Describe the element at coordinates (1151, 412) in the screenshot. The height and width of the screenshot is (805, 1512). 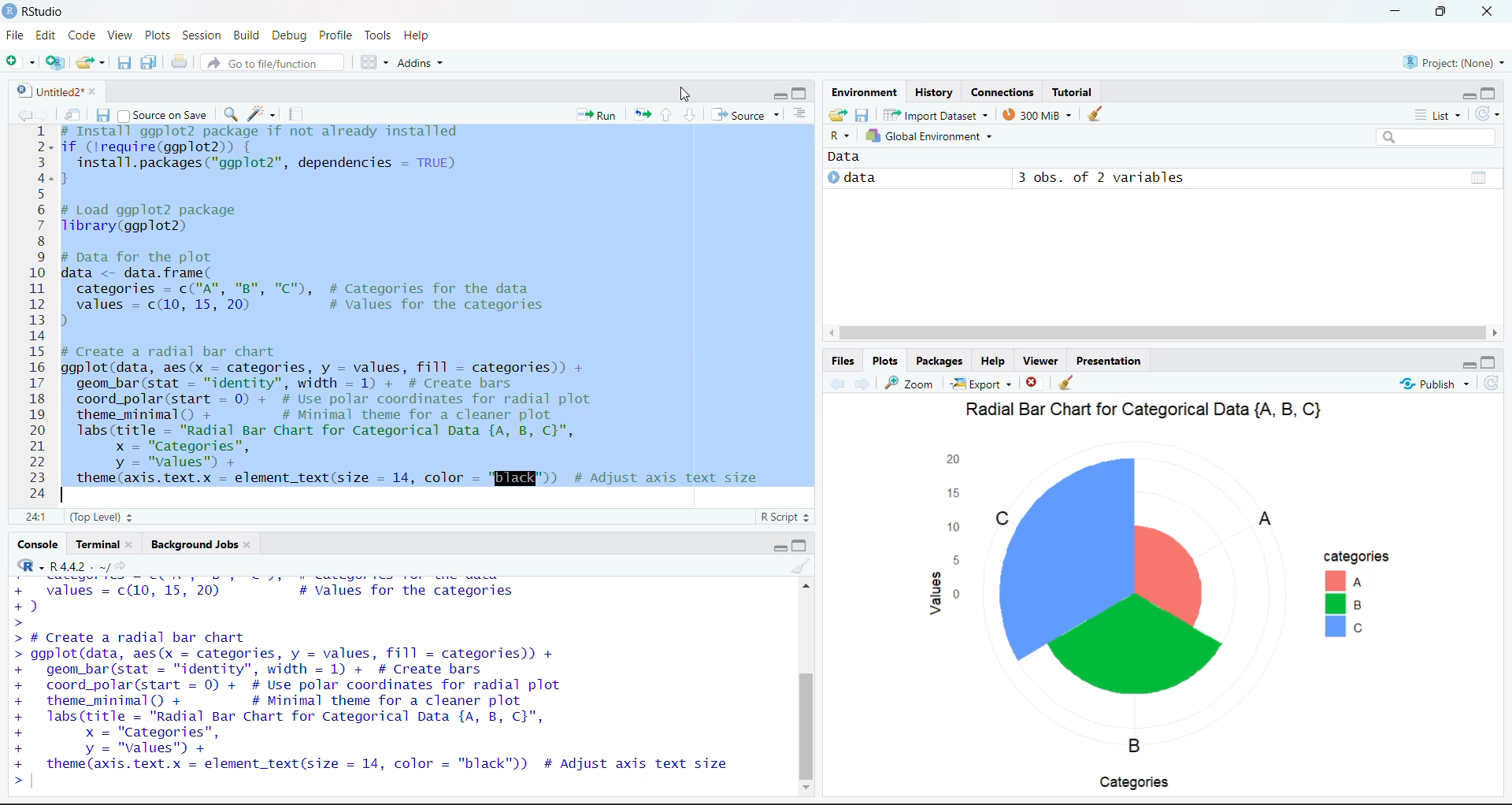
I see `Radial Bar Chart tor Categorical Data (A, B, Cy` at that location.